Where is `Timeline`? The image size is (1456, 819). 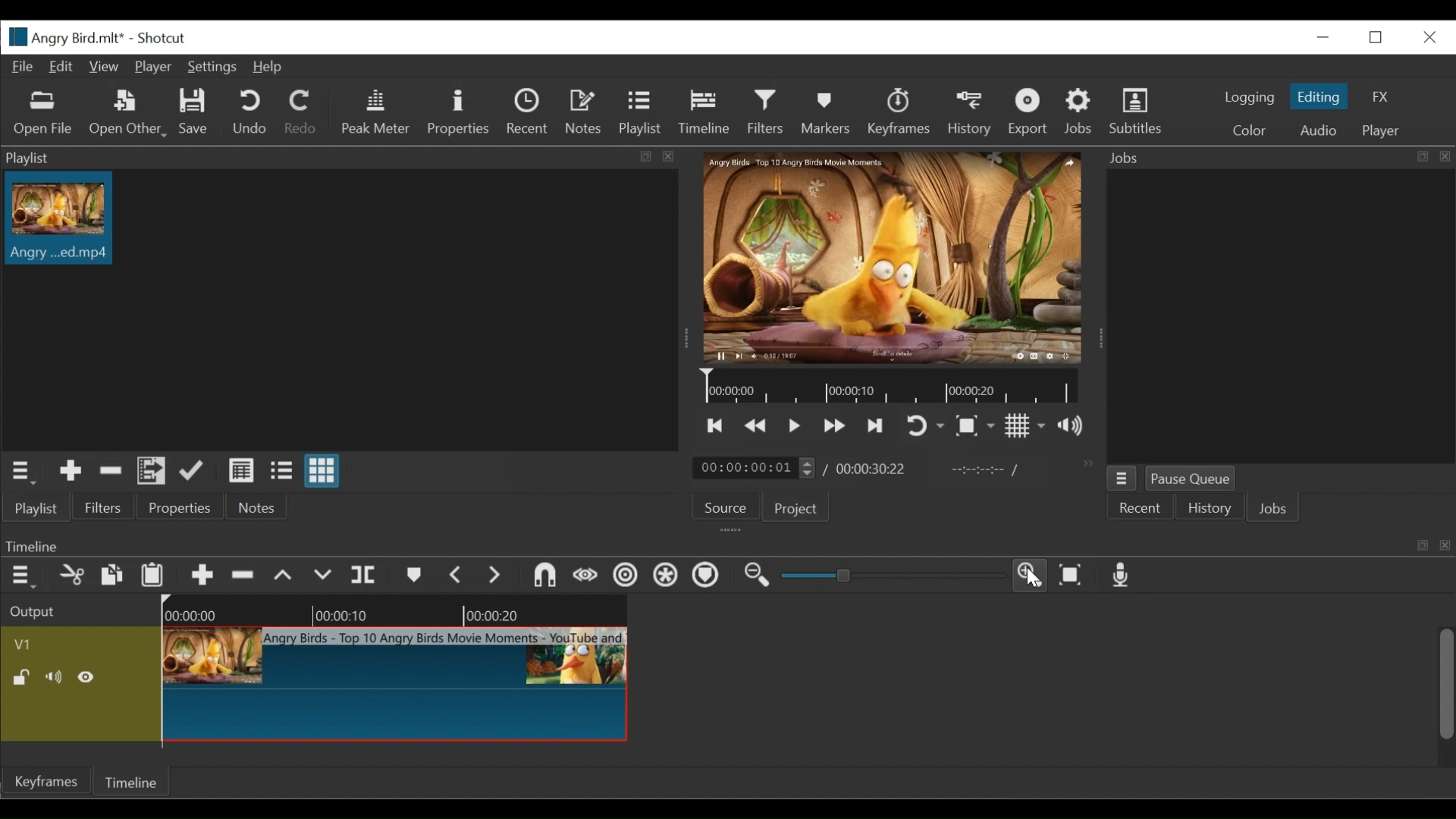 Timeline is located at coordinates (129, 781).